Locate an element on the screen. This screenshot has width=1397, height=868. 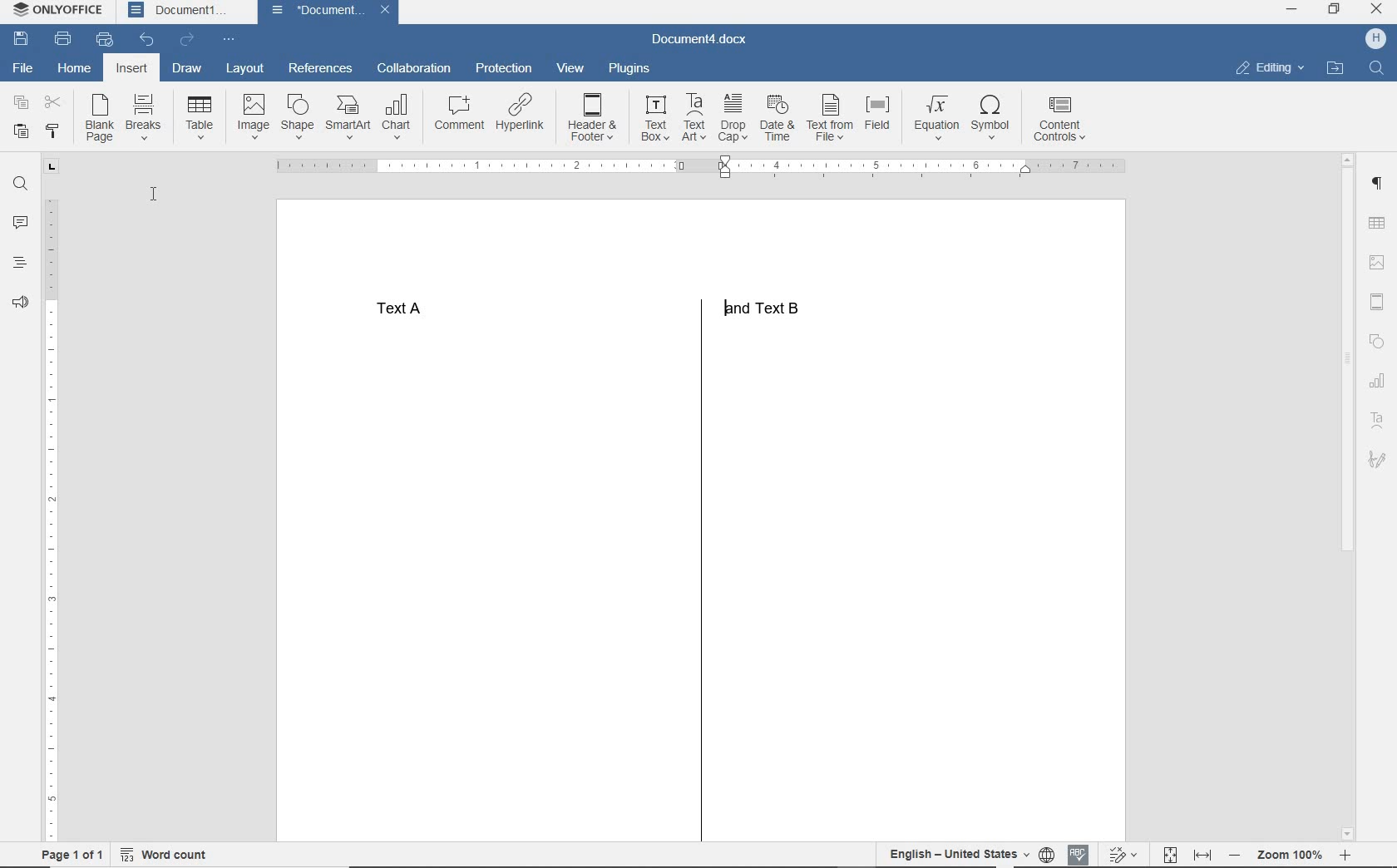
TRACK CHANGES is located at coordinates (1122, 854).